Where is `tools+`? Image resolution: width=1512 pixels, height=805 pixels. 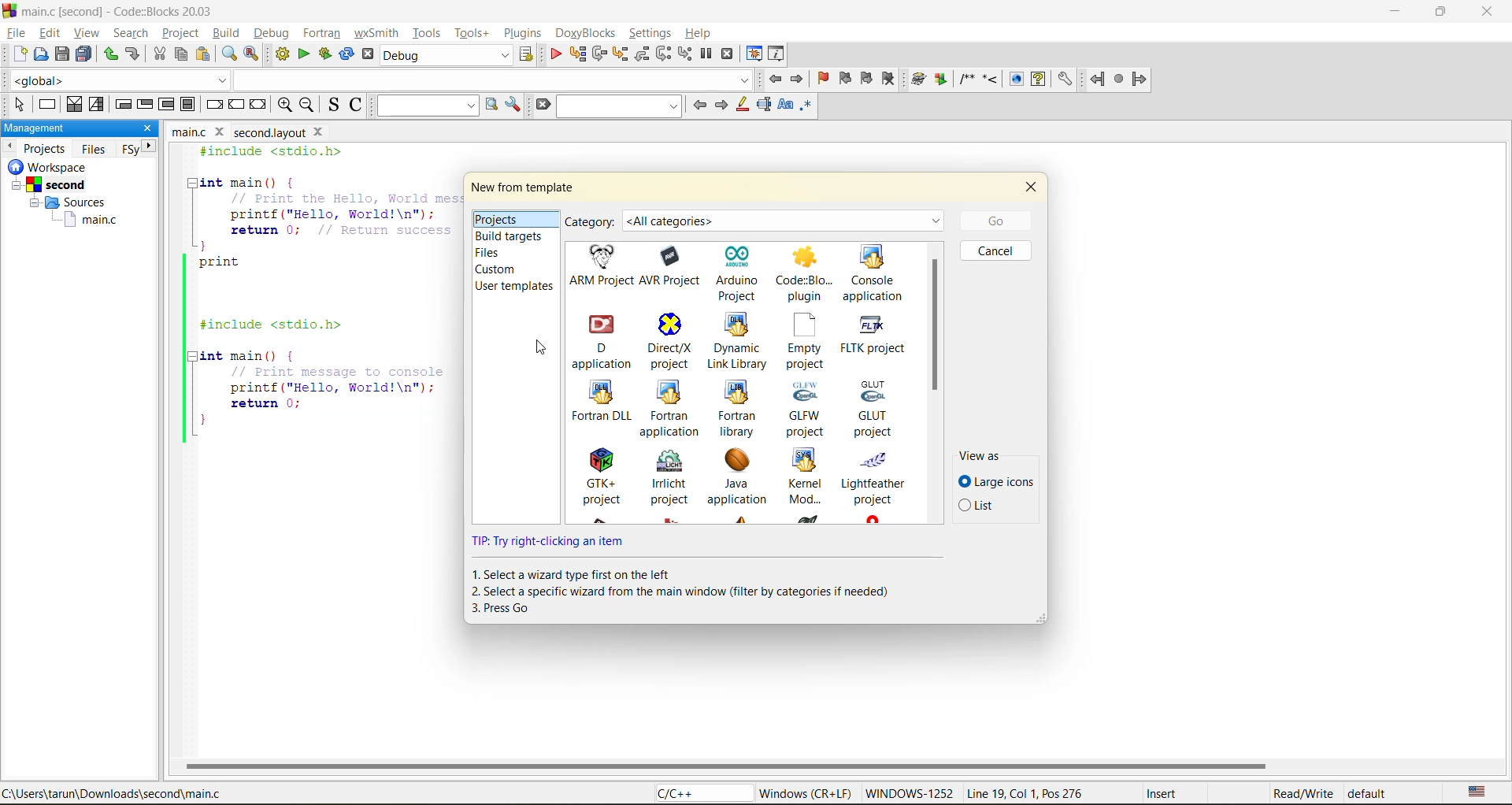 tools+ is located at coordinates (471, 34).